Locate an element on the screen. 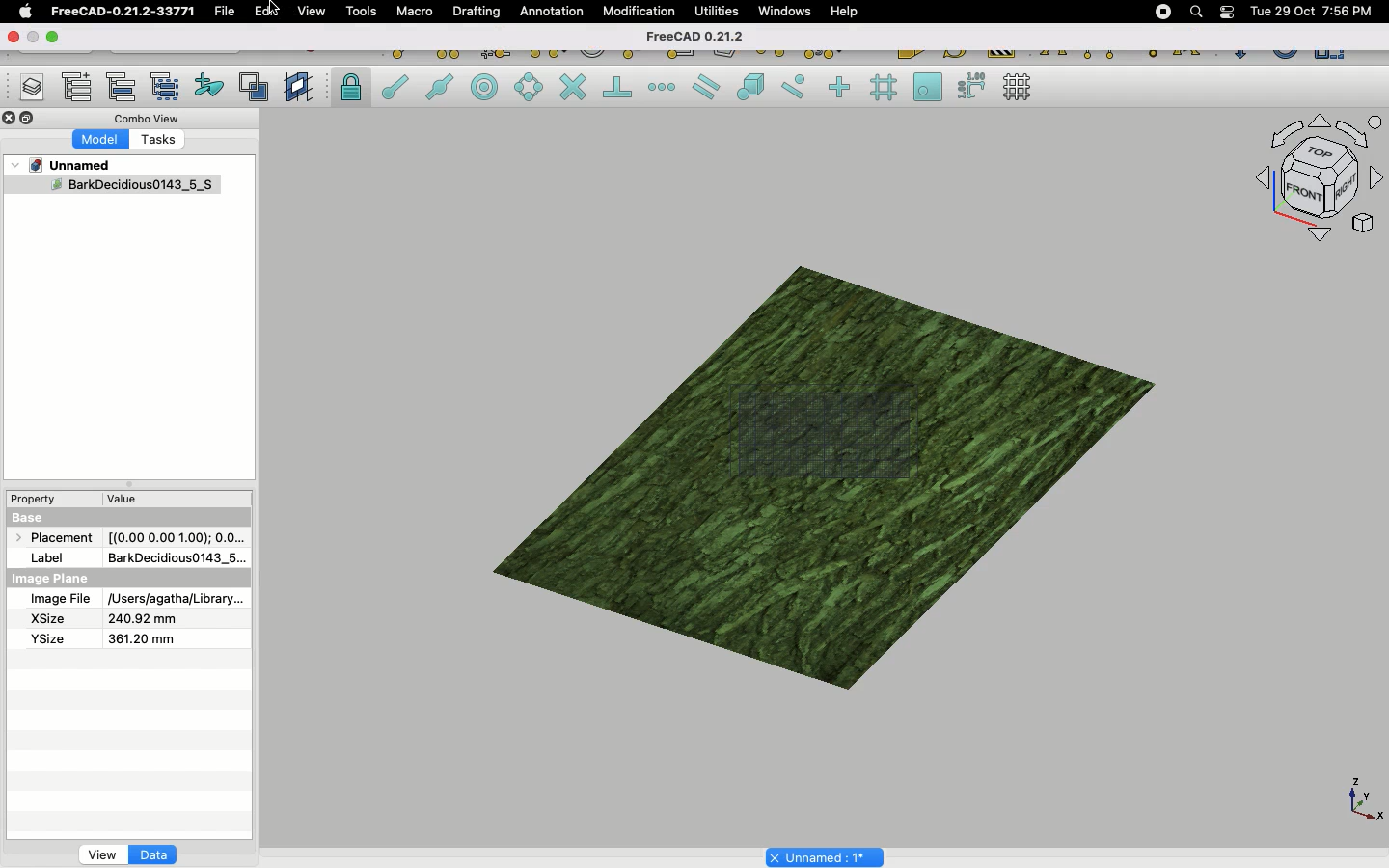 The width and height of the screenshot is (1389, 868). Data is located at coordinates (153, 854).